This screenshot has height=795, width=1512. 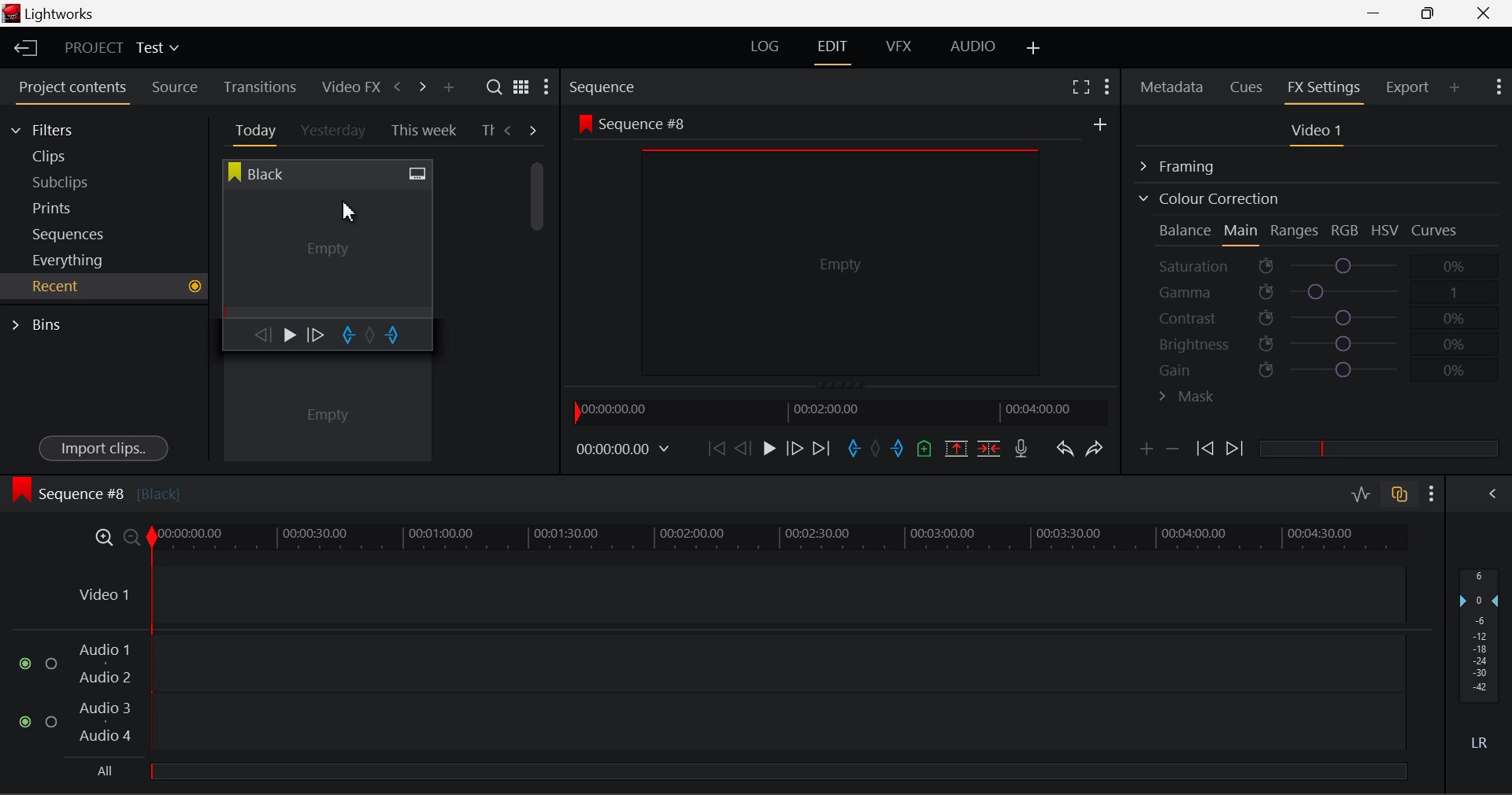 What do you see at coordinates (74, 205) in the screenshot?
I see `Prints` at bounding box center [74, 205].